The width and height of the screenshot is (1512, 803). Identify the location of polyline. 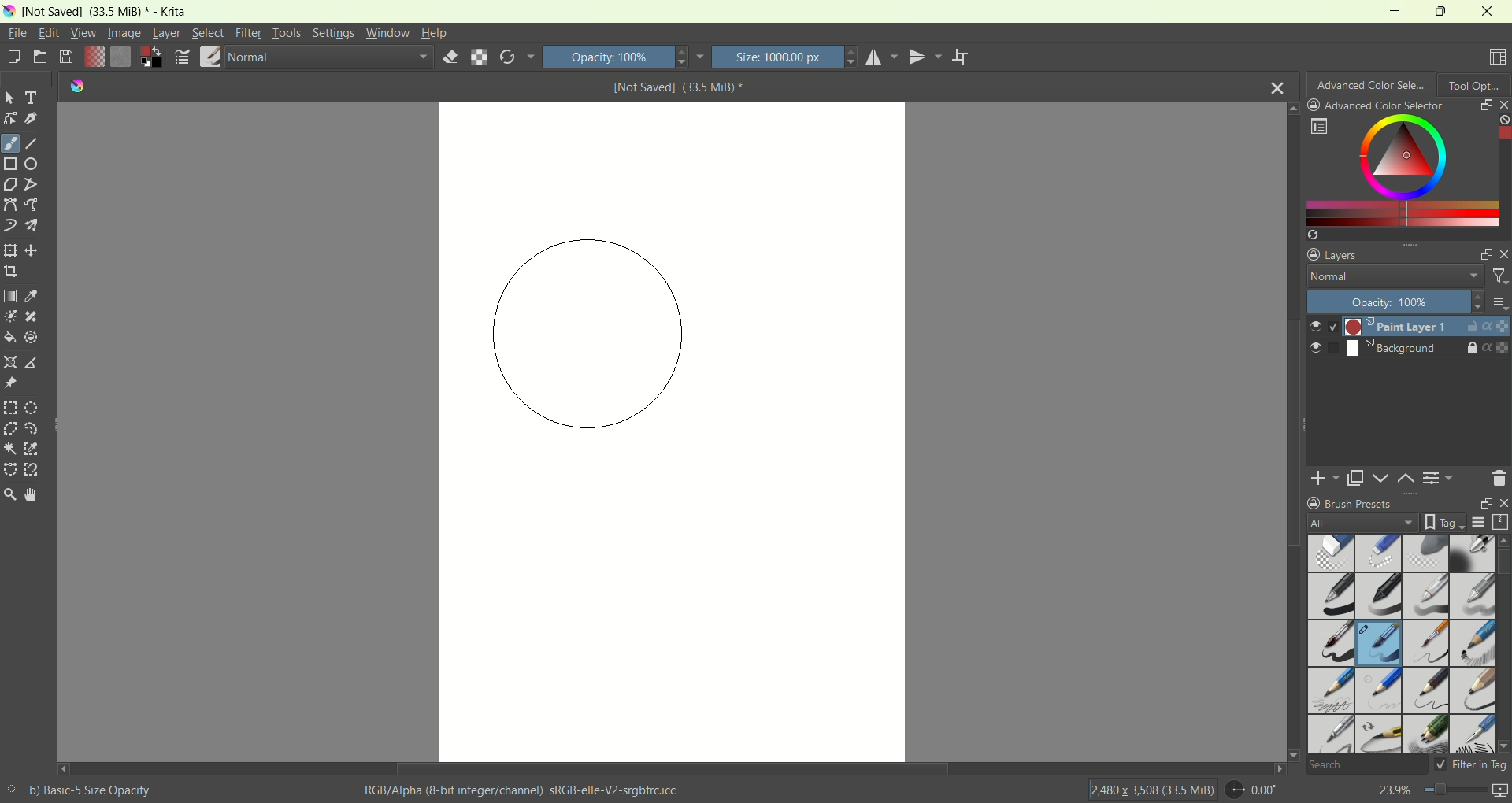
(32, 183).